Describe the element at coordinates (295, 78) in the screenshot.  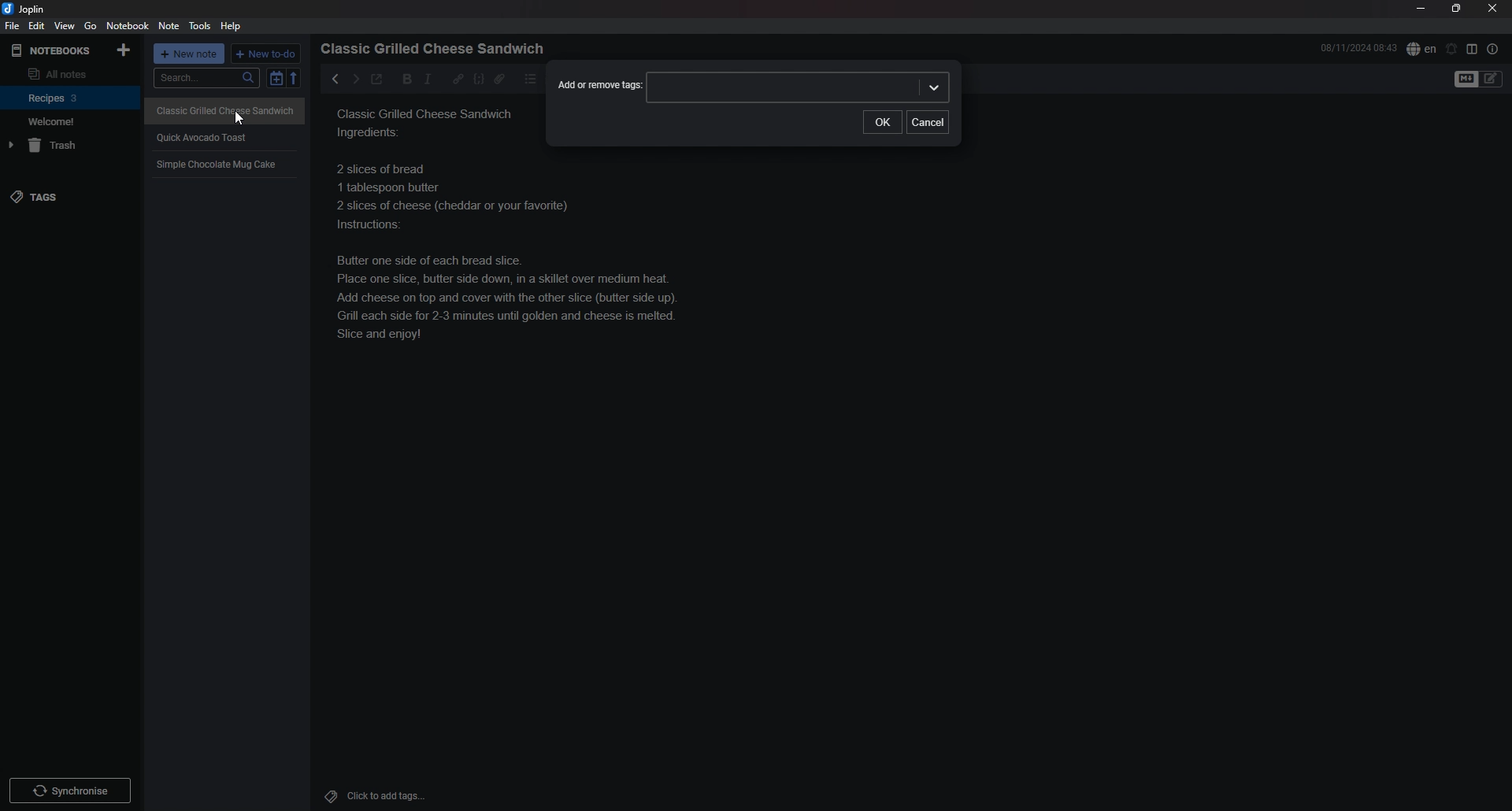
I see `reverse sort order` at that location.